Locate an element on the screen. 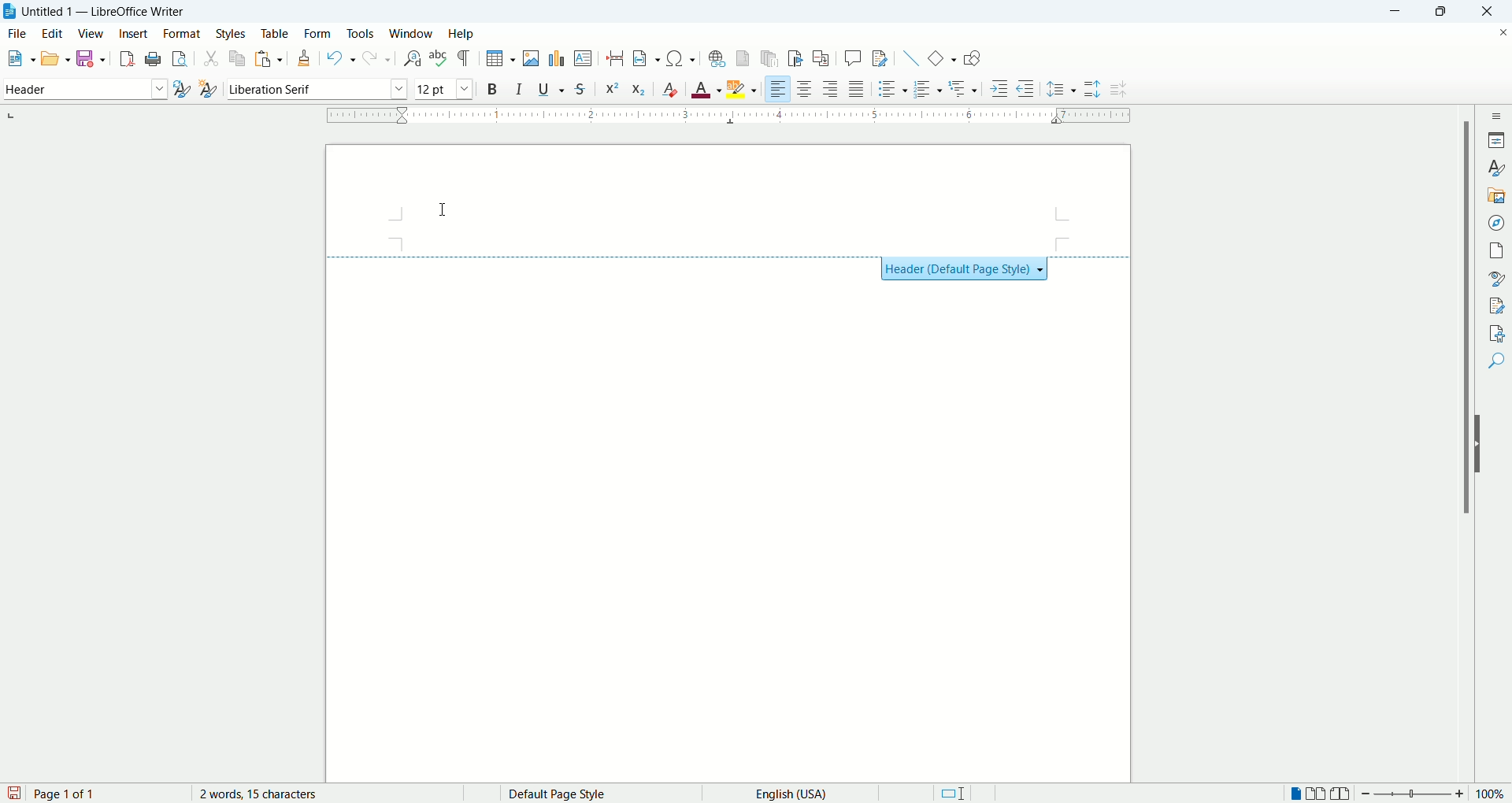  insert symbol is located at coordinates (680, 57).